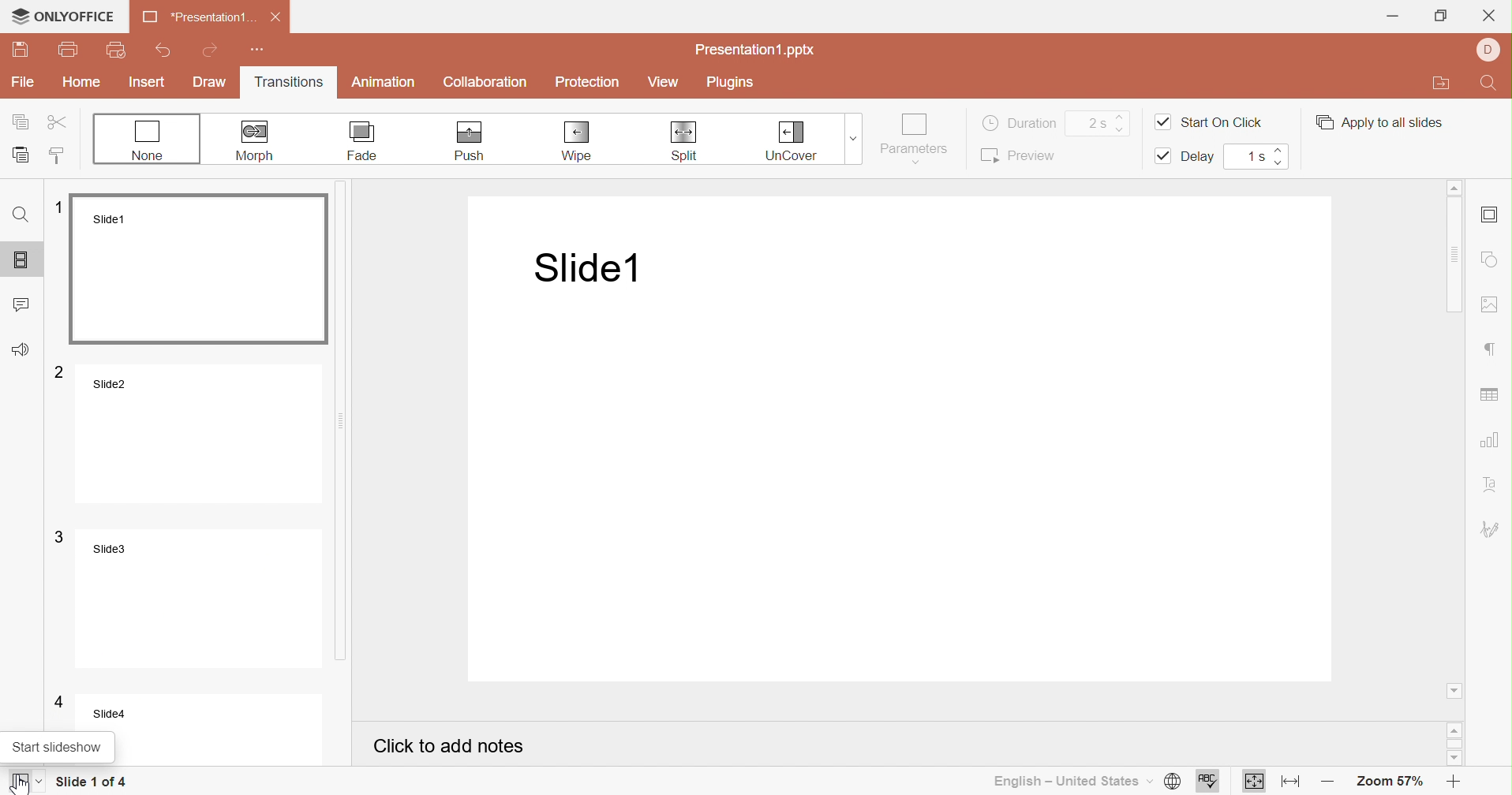  I want to click on ONLYOFFICE, so click(62, 16).